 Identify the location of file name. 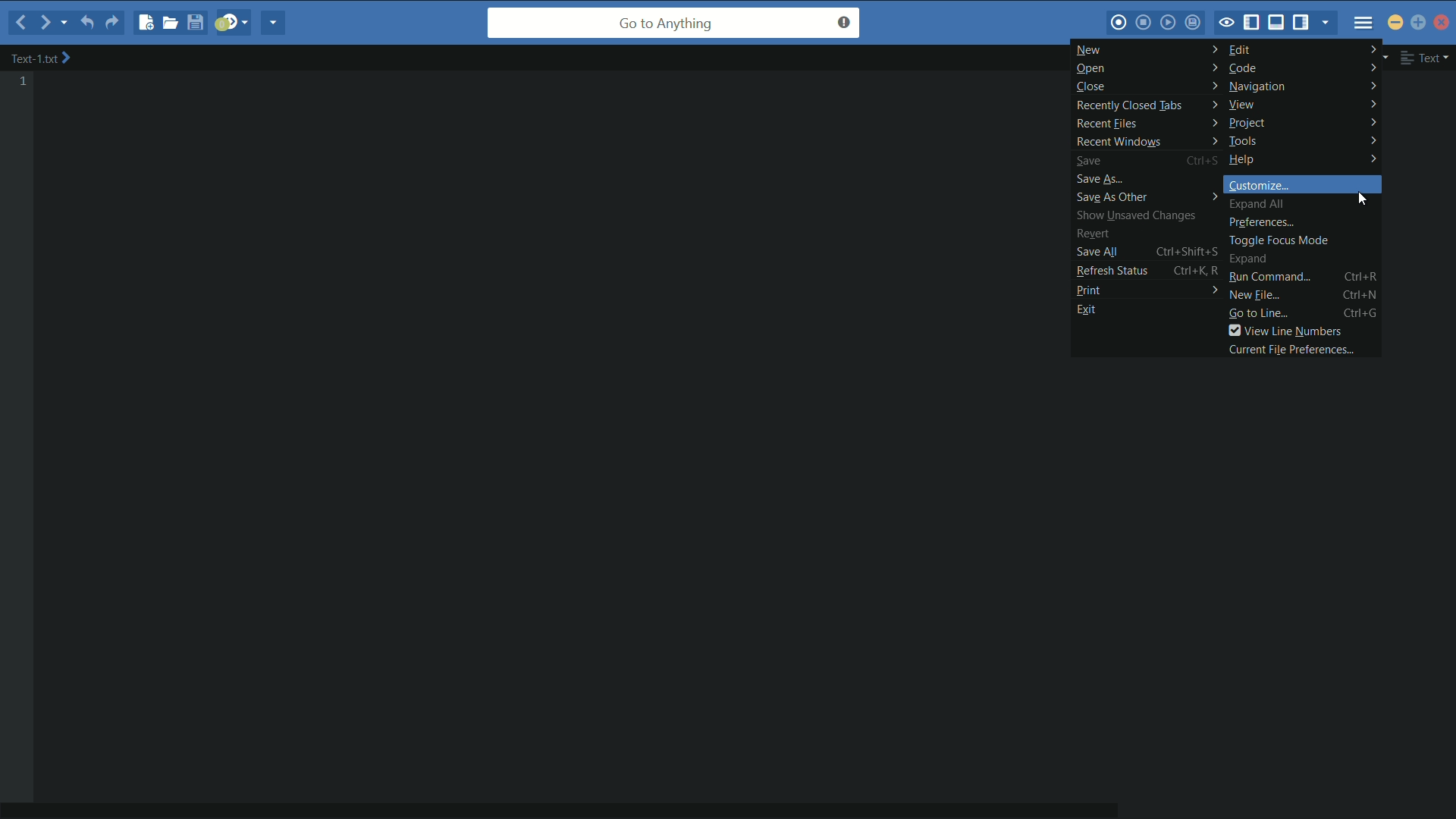
(39, 58).